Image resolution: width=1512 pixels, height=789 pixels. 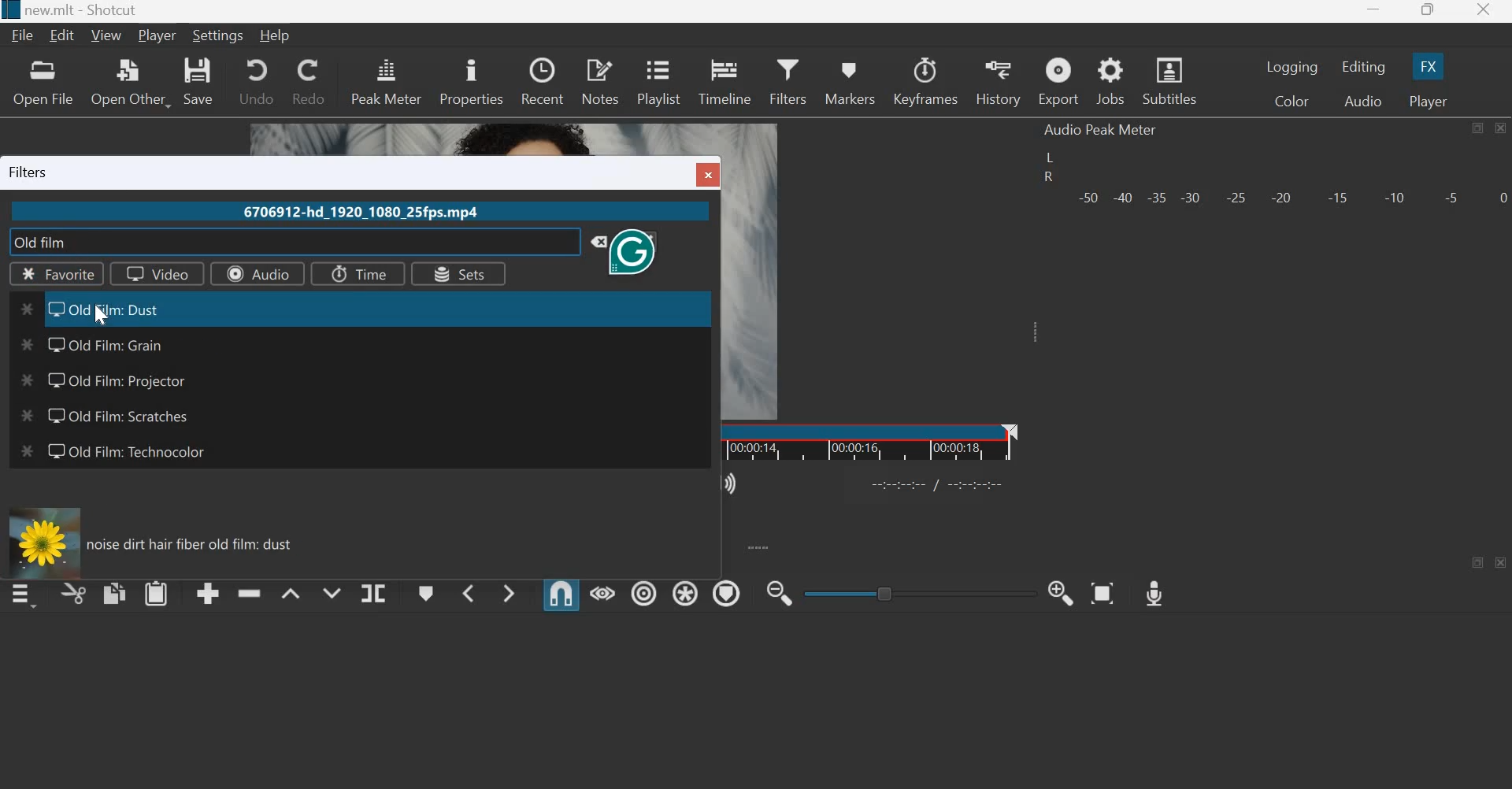 What do you see at coordinates (726, 593) in the screenshot?
I see `Ripple Markers` at bounding box center [726, 593].